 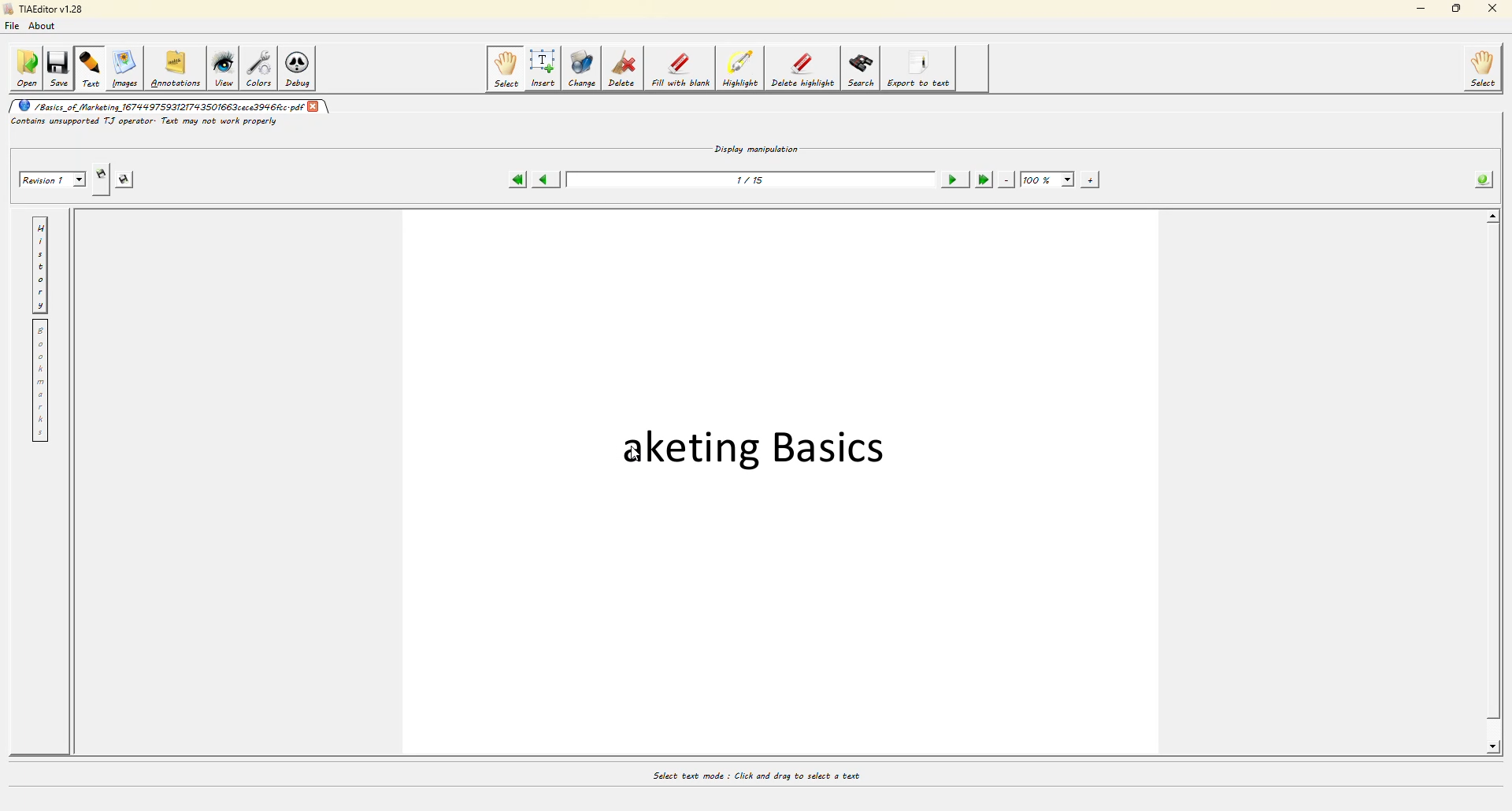 What do you see at coordinates (1480, 70) in the screenshot?
I see `select` at bounding box center [1480, 70].